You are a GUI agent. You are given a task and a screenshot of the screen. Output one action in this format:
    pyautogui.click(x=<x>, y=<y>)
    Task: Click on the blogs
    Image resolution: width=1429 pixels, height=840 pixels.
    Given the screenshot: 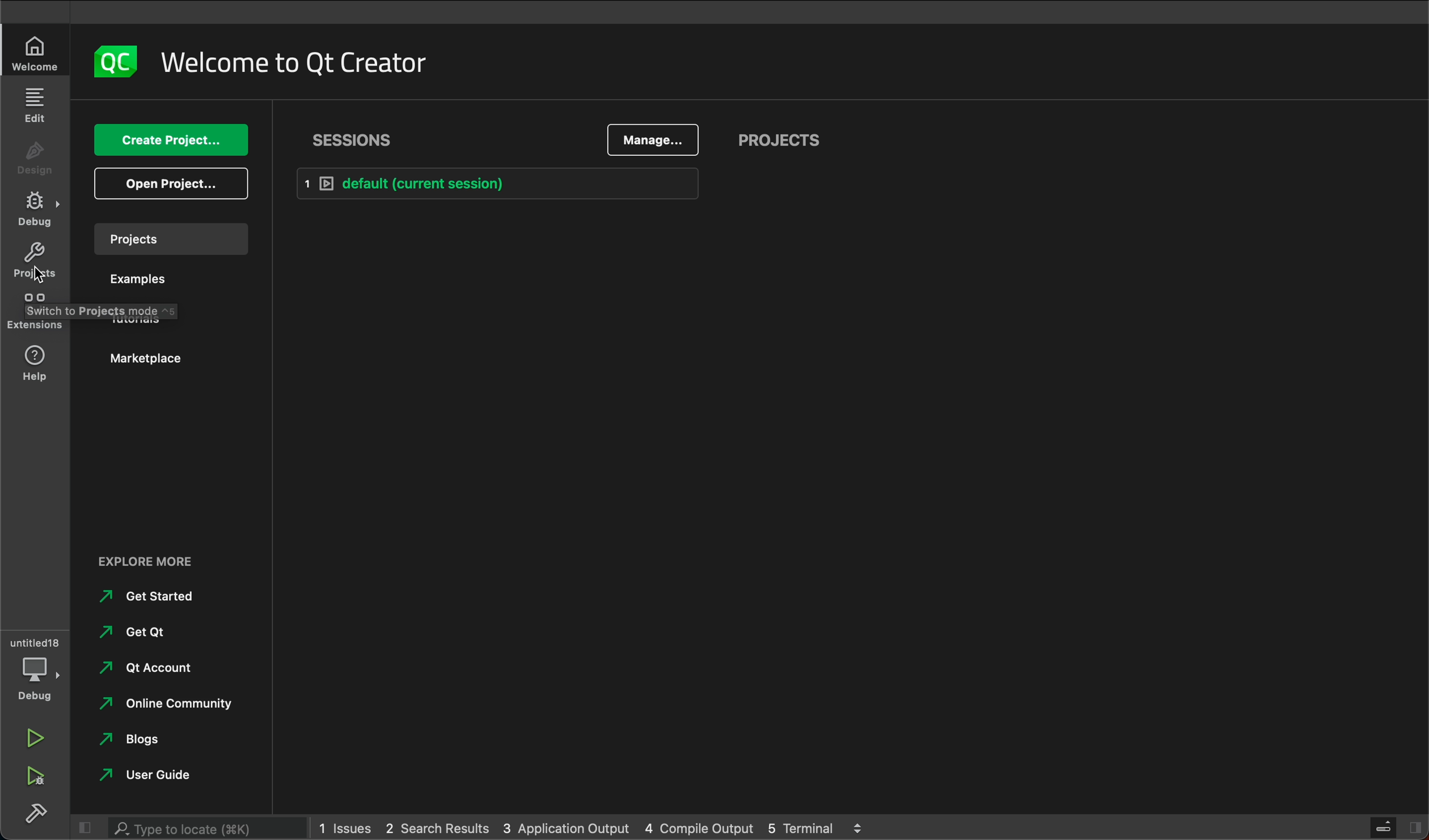 What is the action you would take?
    pyautogui.click(x=139, y=736)
    